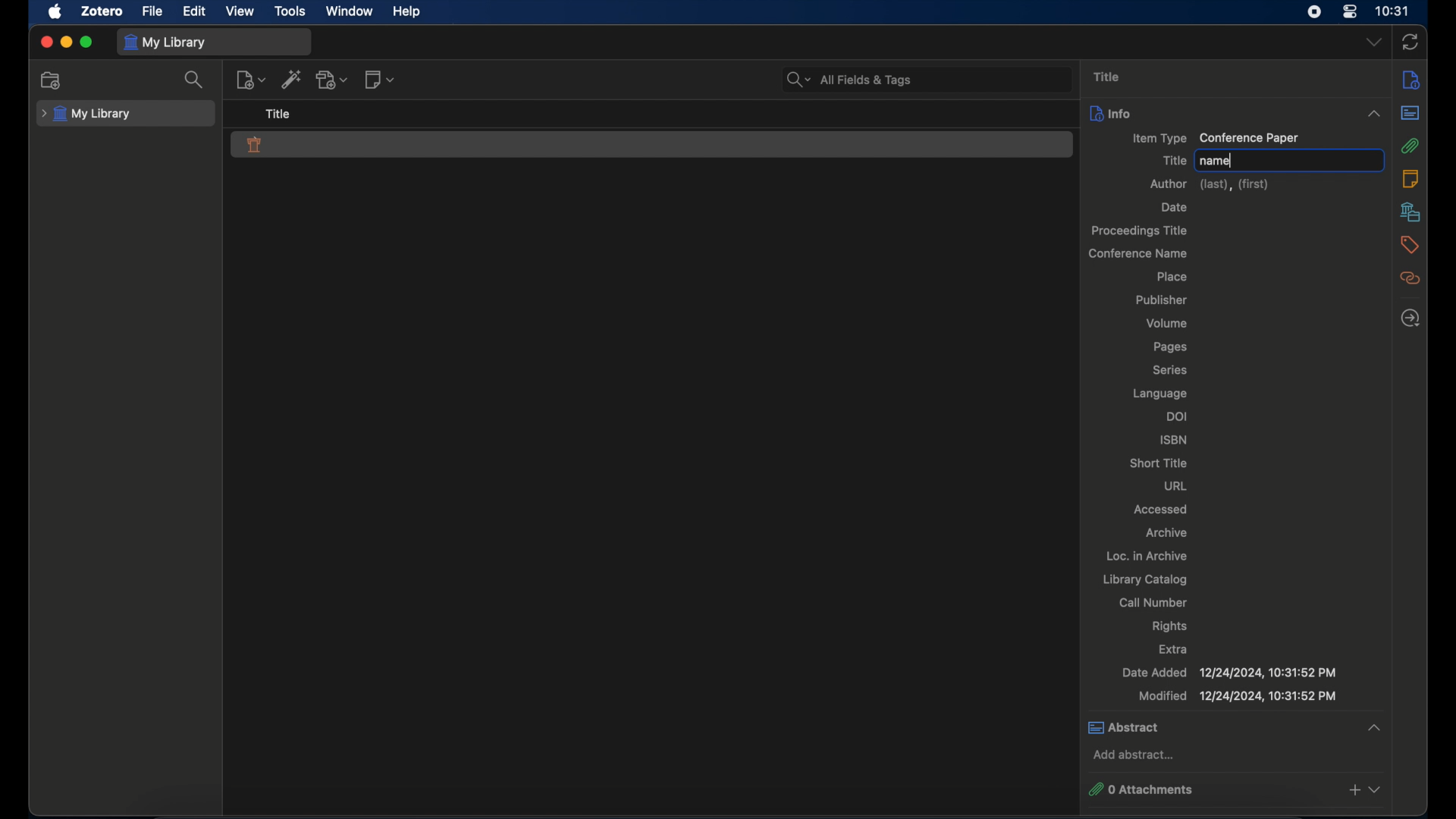  What do you see at coordinates (1374, 113) in the screenshot?
I see `dropdown` at bounding box center [1374, 113].